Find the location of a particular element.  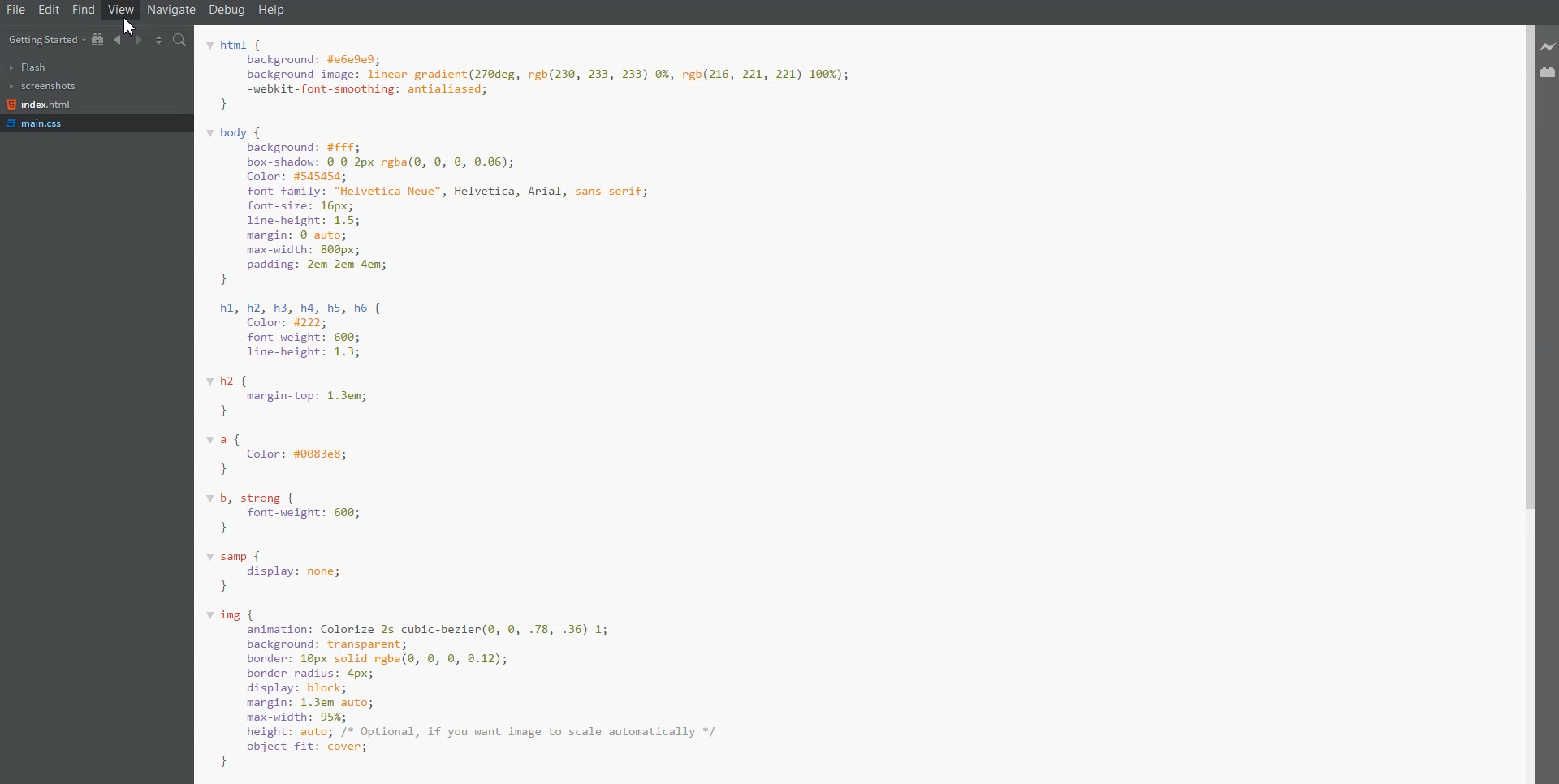

Live Preview is located at coordinates (1549, 48).